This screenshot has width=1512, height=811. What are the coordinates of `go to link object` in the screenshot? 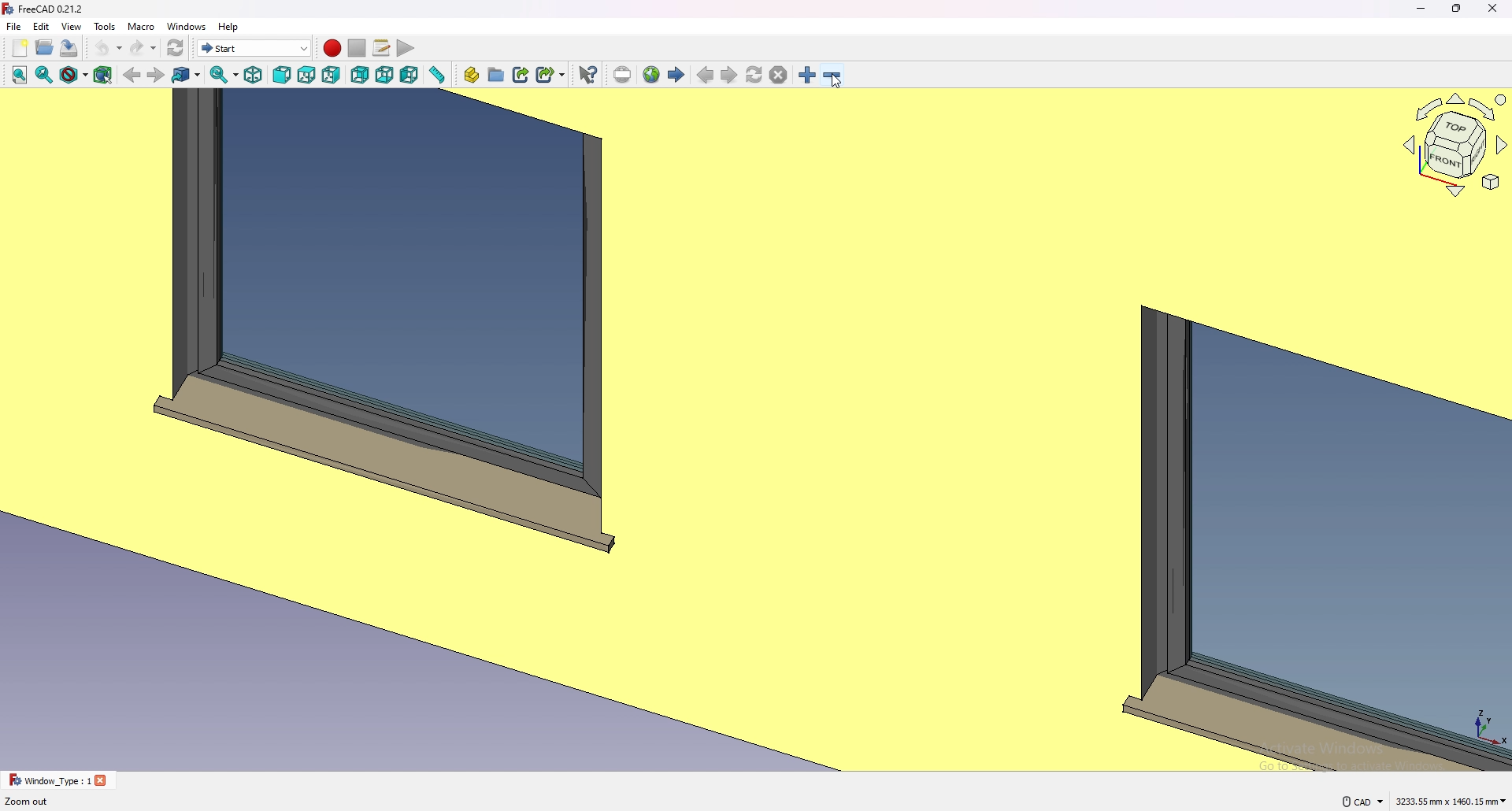 It's located at (186, 74).